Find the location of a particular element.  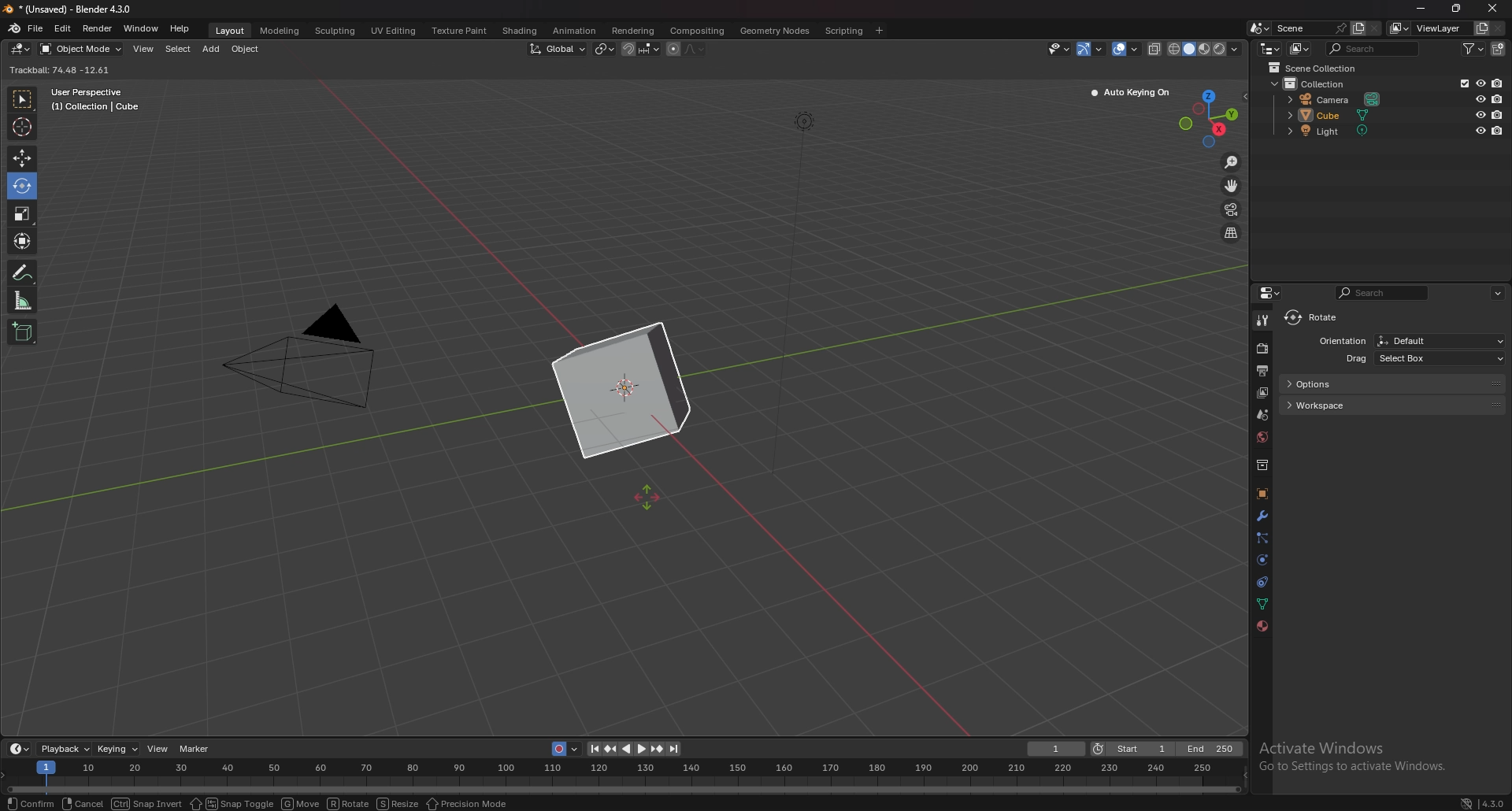

display mode is located at coordinates (1300, 49).